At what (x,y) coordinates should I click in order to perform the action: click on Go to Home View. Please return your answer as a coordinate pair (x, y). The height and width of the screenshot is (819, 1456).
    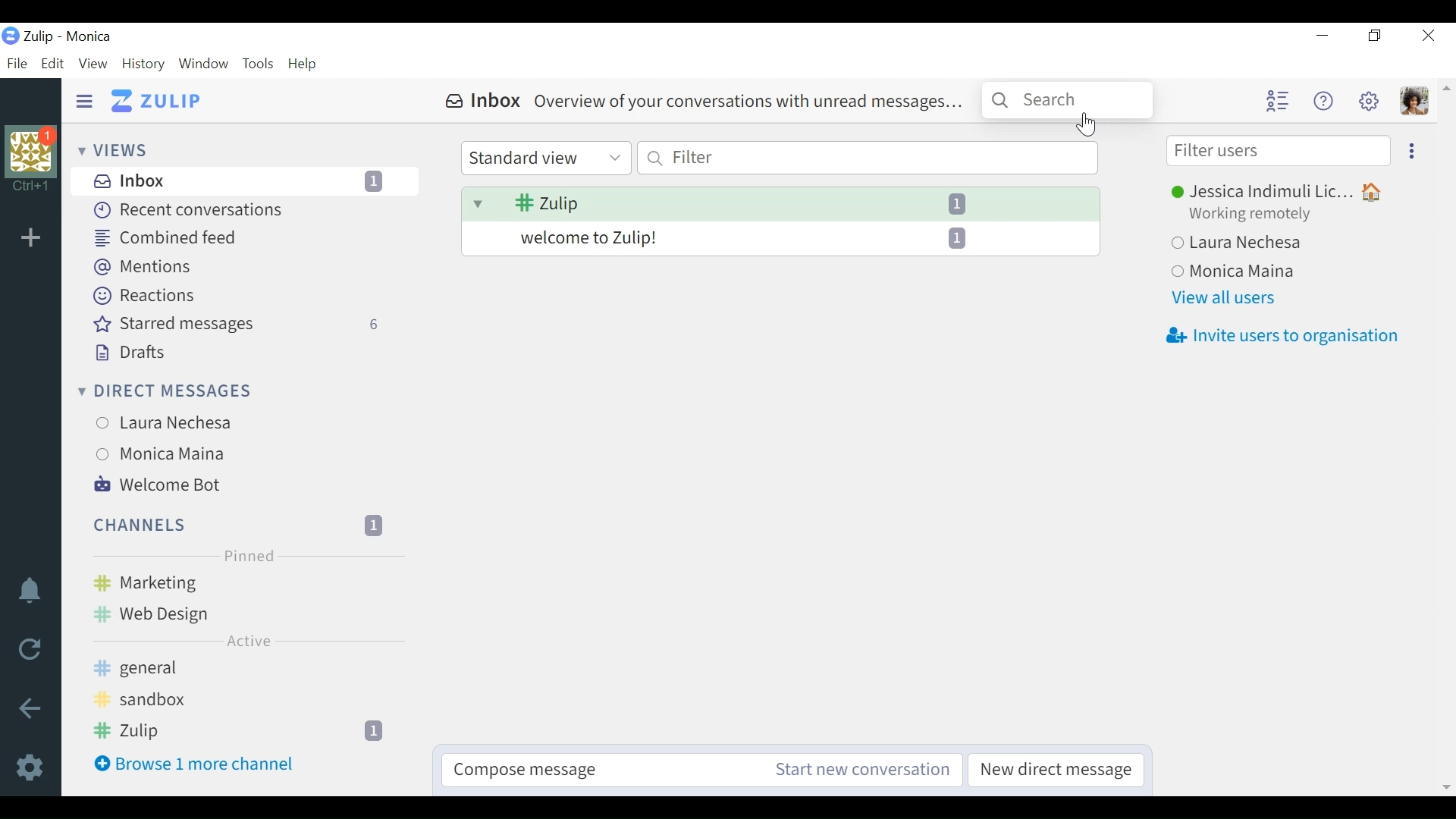
    Looking at the image, I should click on (165, 101).